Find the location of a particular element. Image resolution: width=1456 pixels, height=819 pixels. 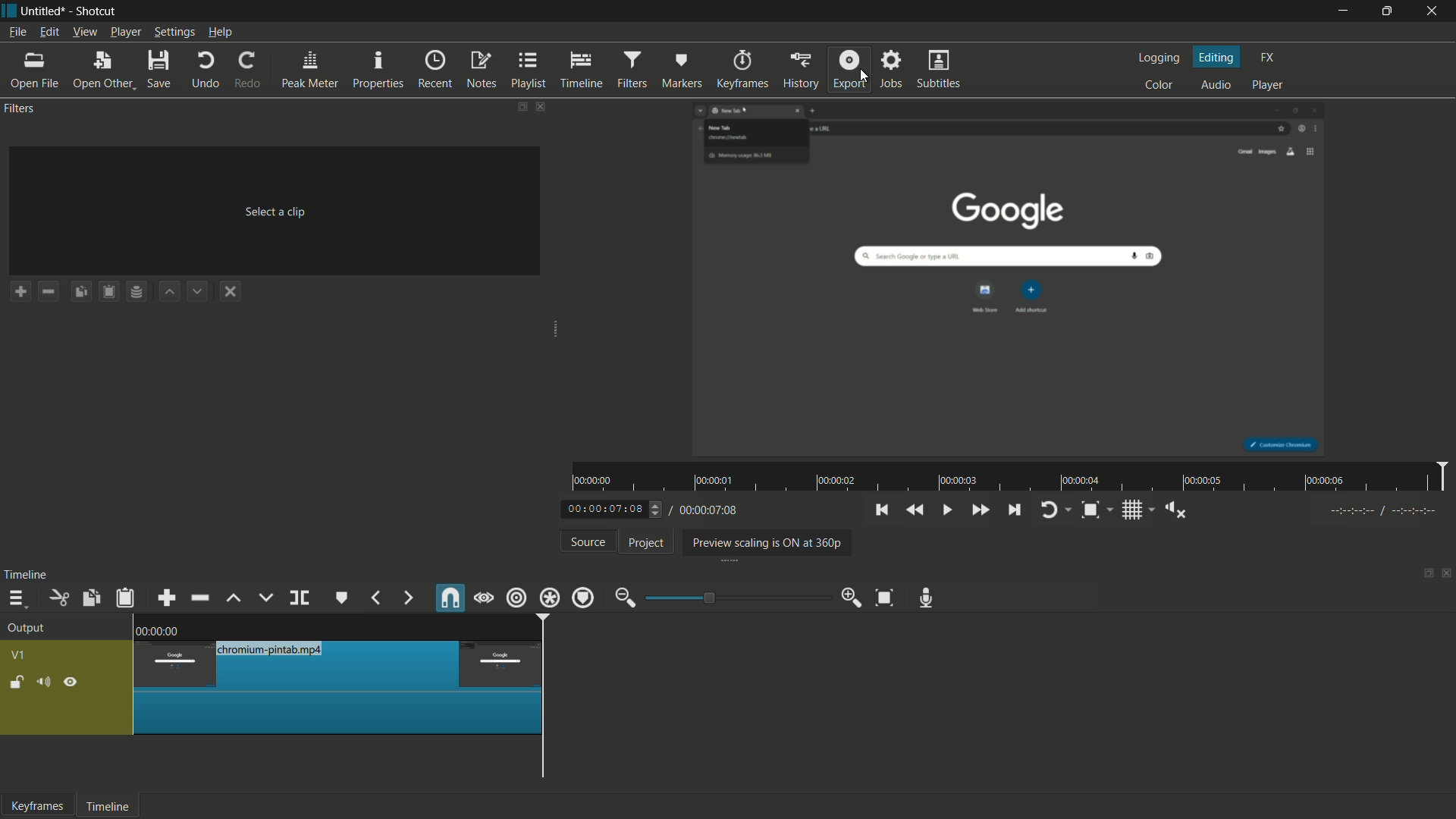

append is located at coordinates (165, 599).